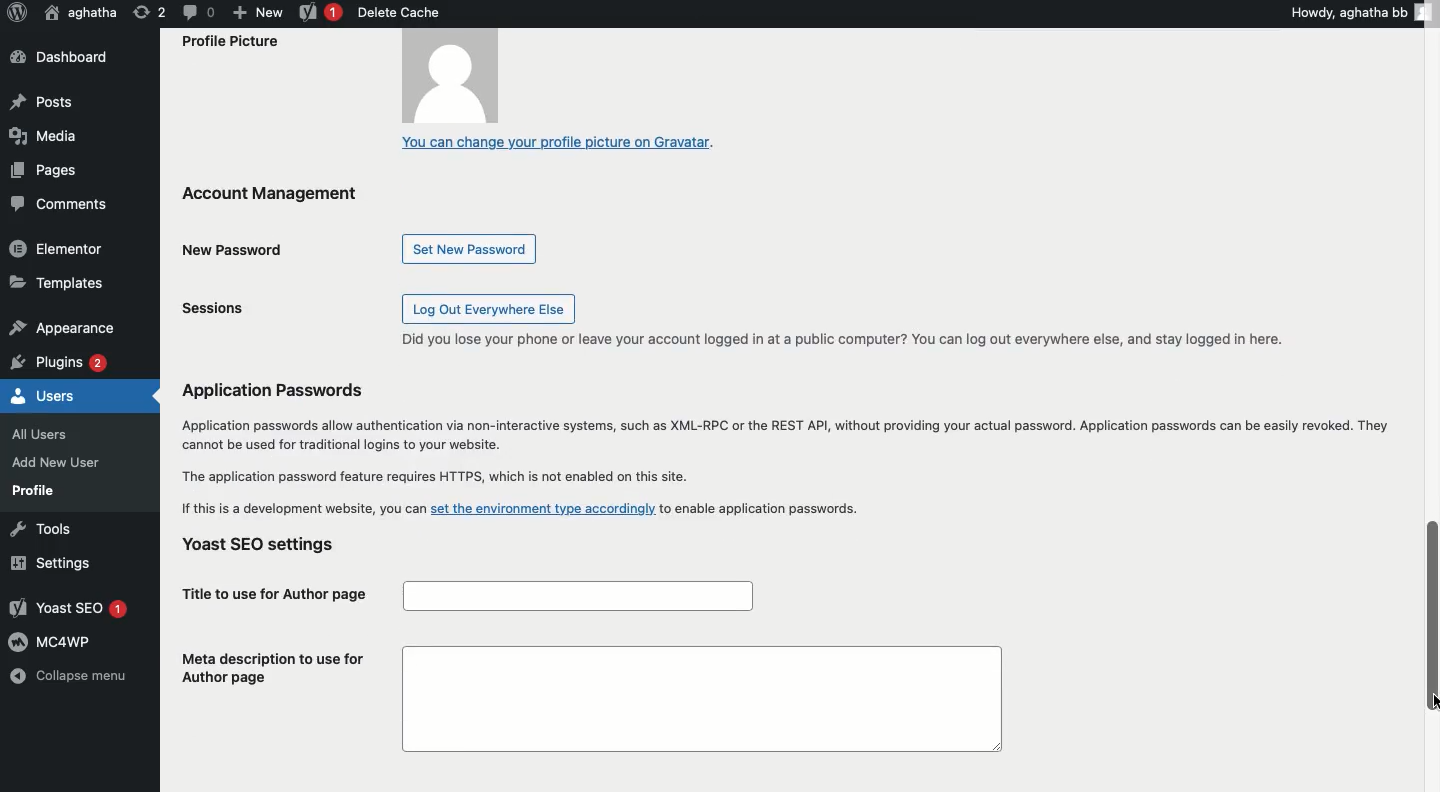  I want to click on Comment, so click(197, 11).